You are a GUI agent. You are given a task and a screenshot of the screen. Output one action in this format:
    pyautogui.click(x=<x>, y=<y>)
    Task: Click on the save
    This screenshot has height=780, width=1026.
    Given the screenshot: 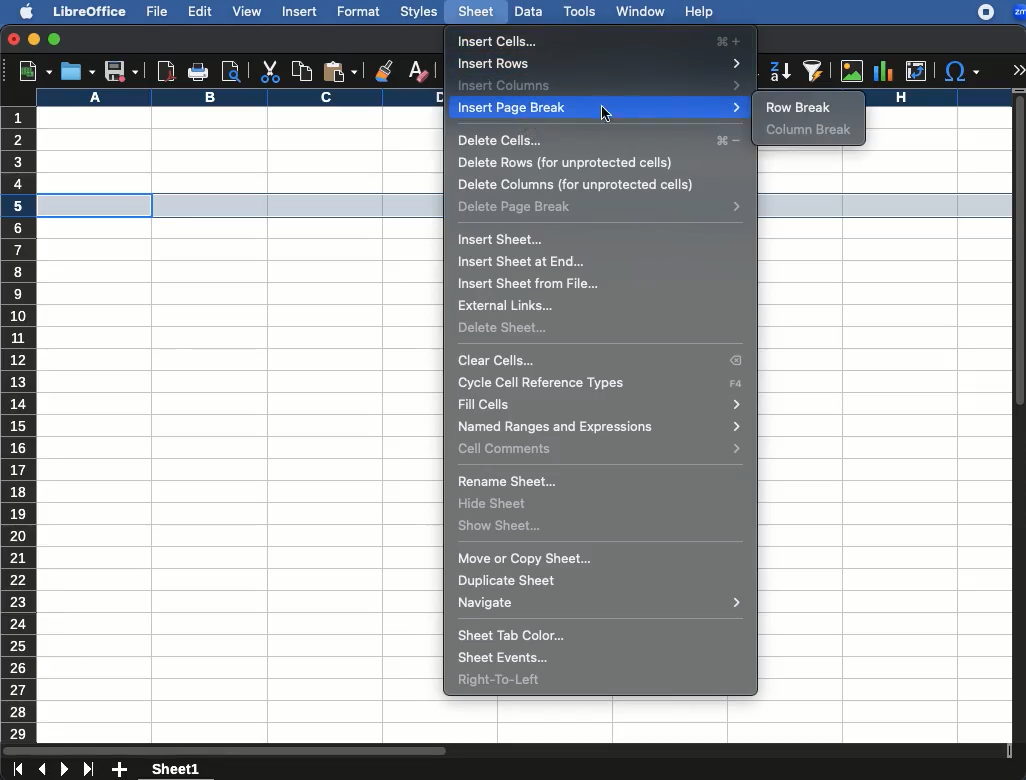 What is the action you would take?
    pyautogui.click(x=122, y=72)
    